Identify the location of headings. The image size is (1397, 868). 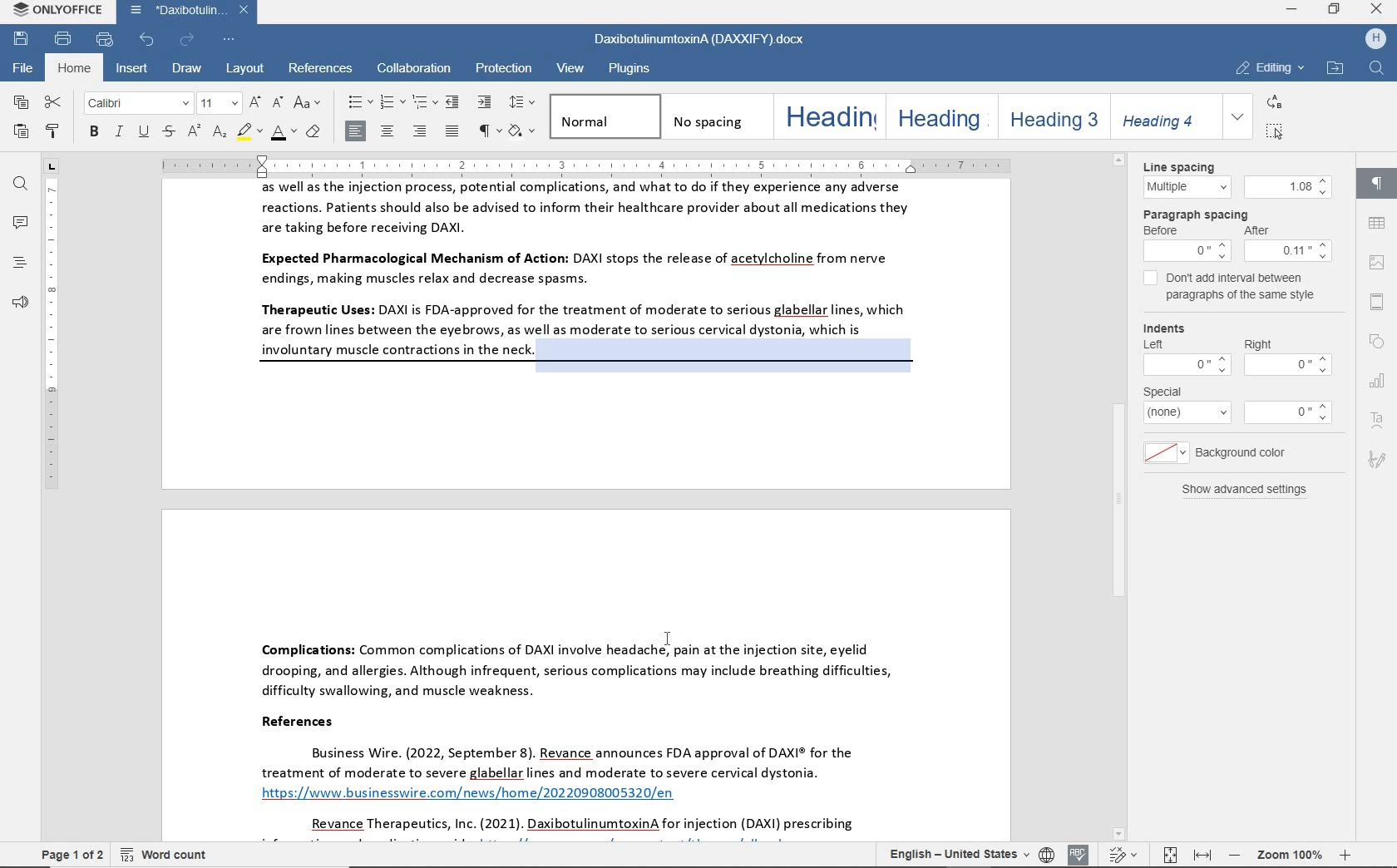
(17, 264).